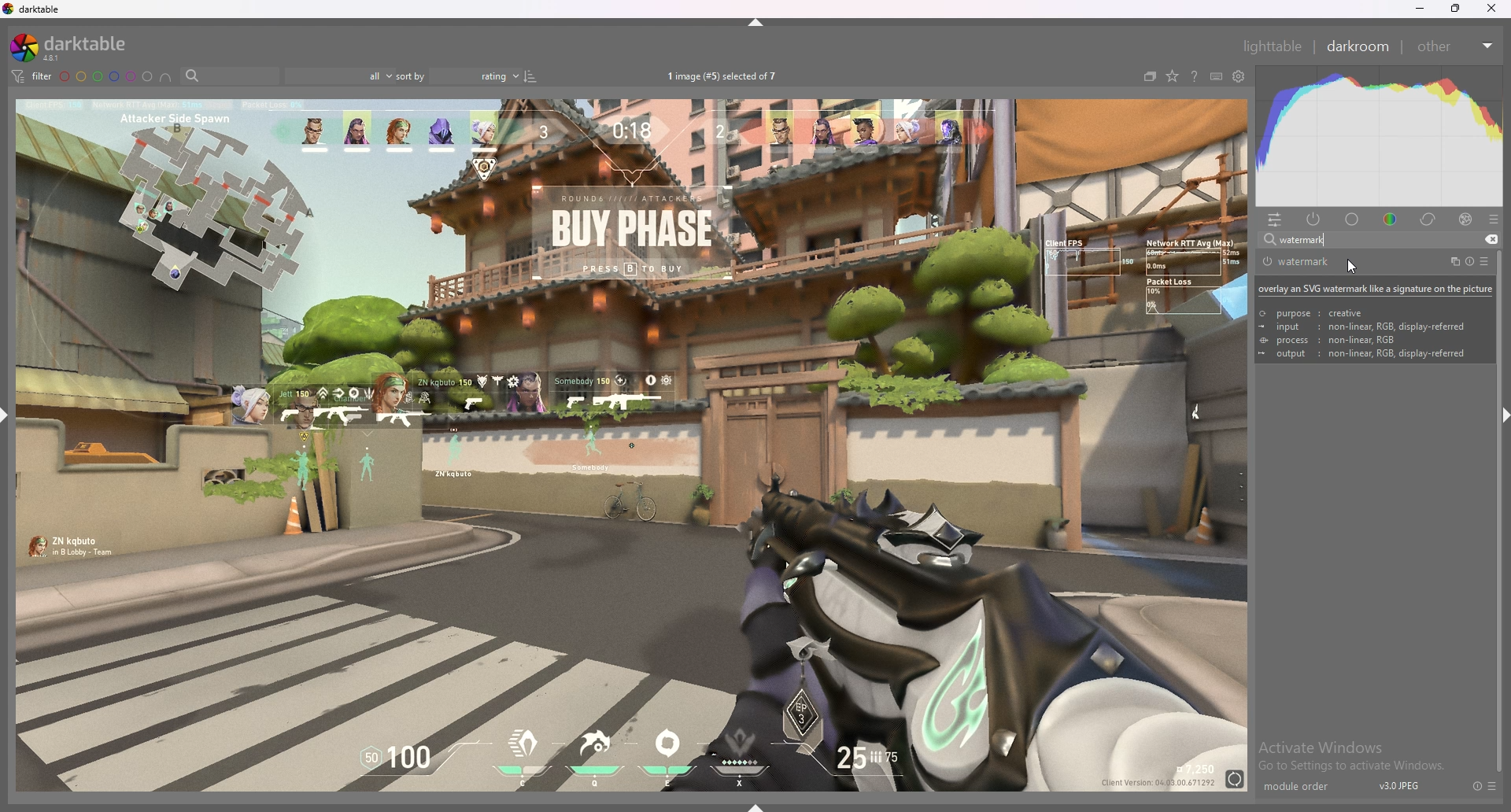 Image resolution: width=1511 pixels, height=812 pixels. What do you see at coordinates (1484, 261) in the screenshot?
I see `presets` at bounding box center [1484, 261].